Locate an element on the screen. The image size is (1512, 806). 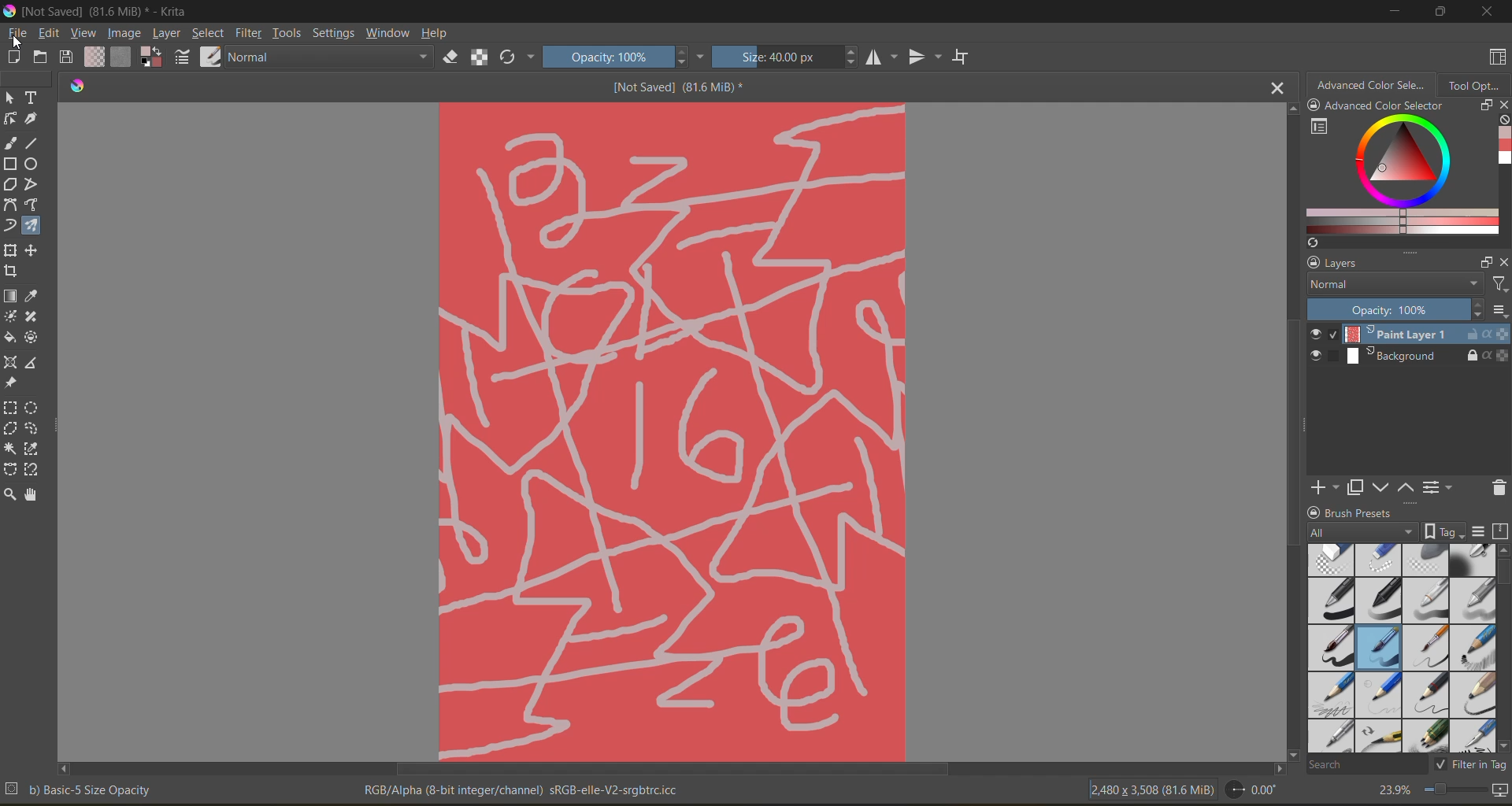
select is located at coordinates (206, 34).